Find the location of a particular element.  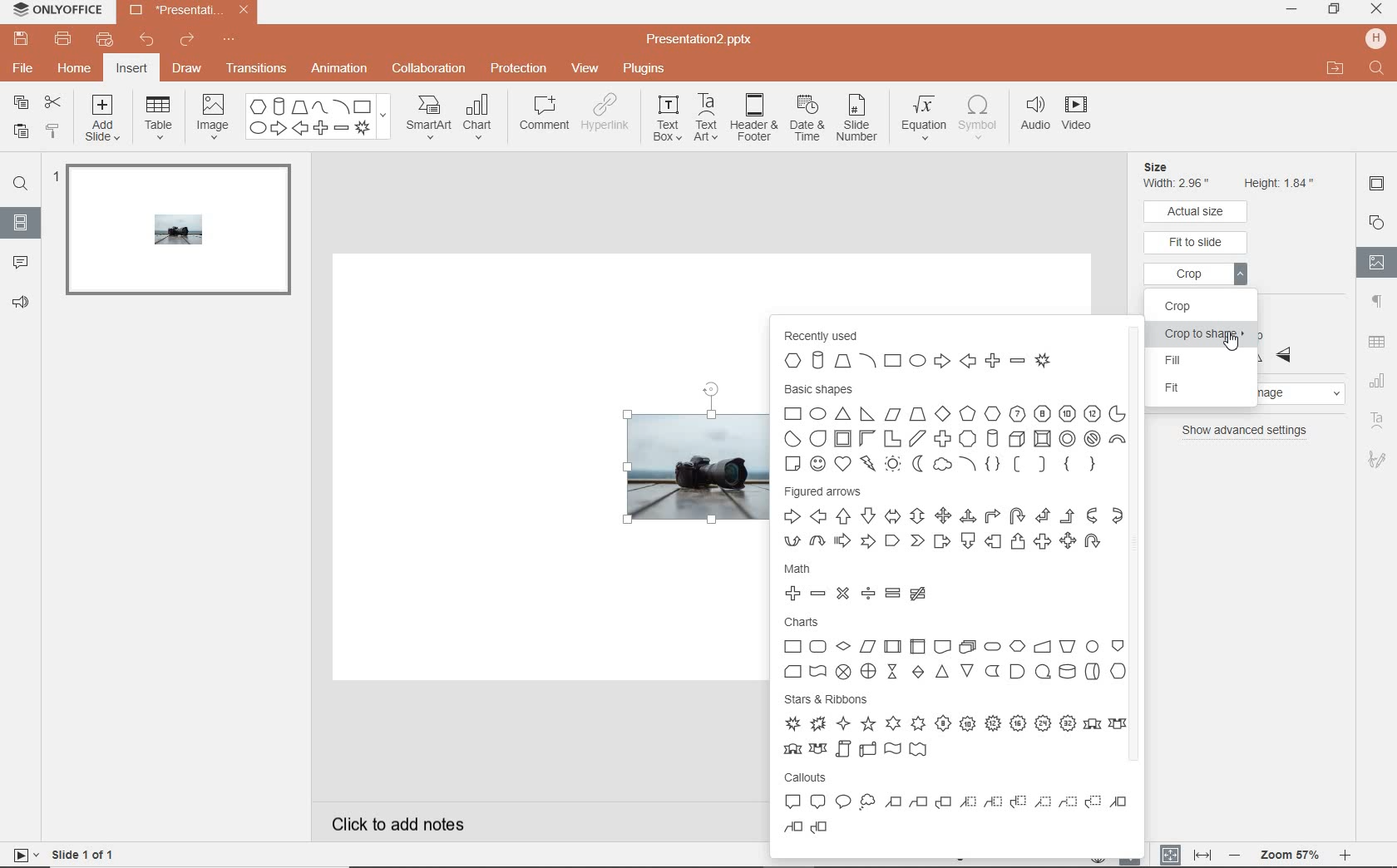

hp is located at coordinates (1375, 37).